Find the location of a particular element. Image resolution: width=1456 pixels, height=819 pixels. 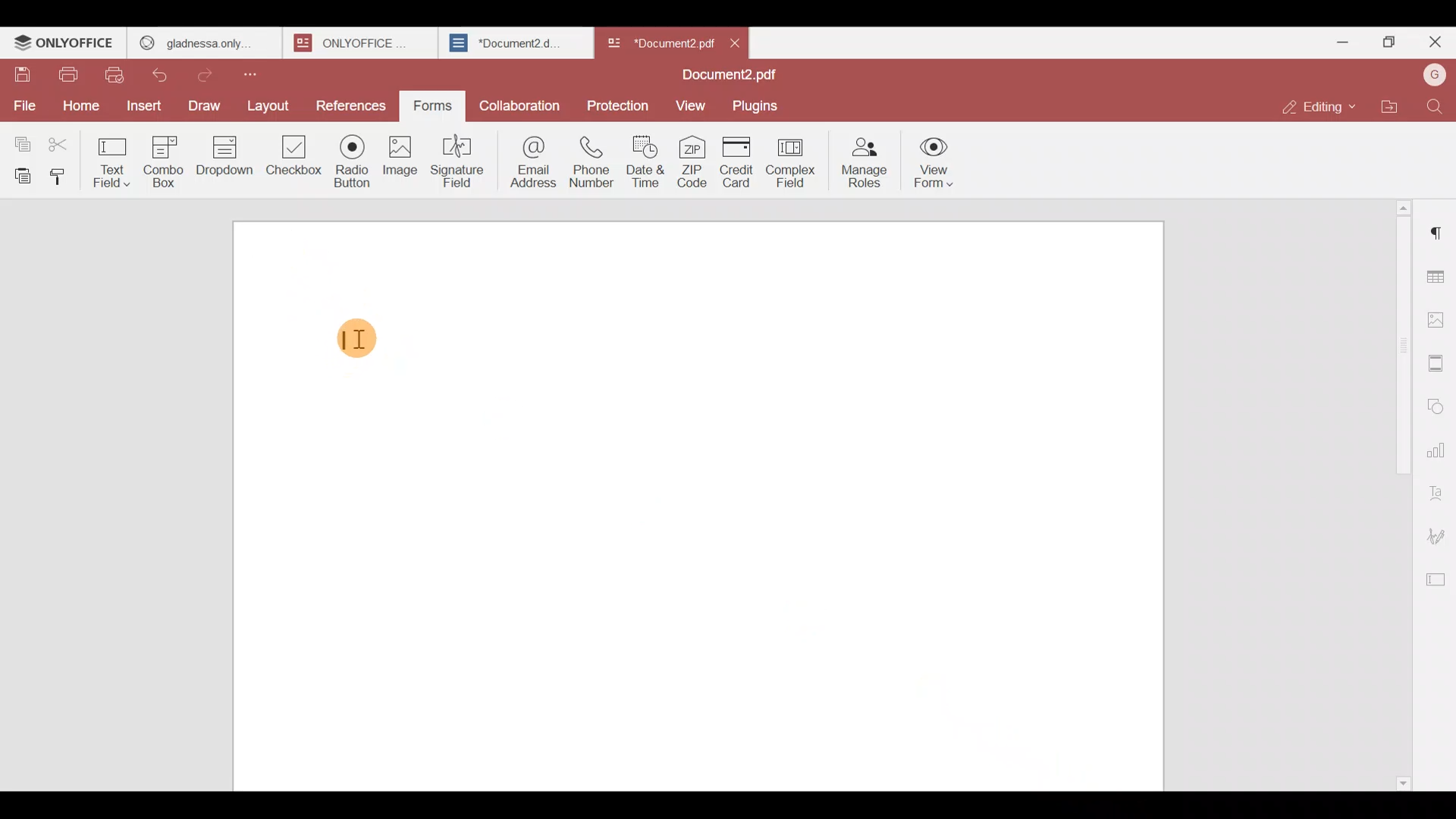

Chart settings is located at coordinates (1438, 450).